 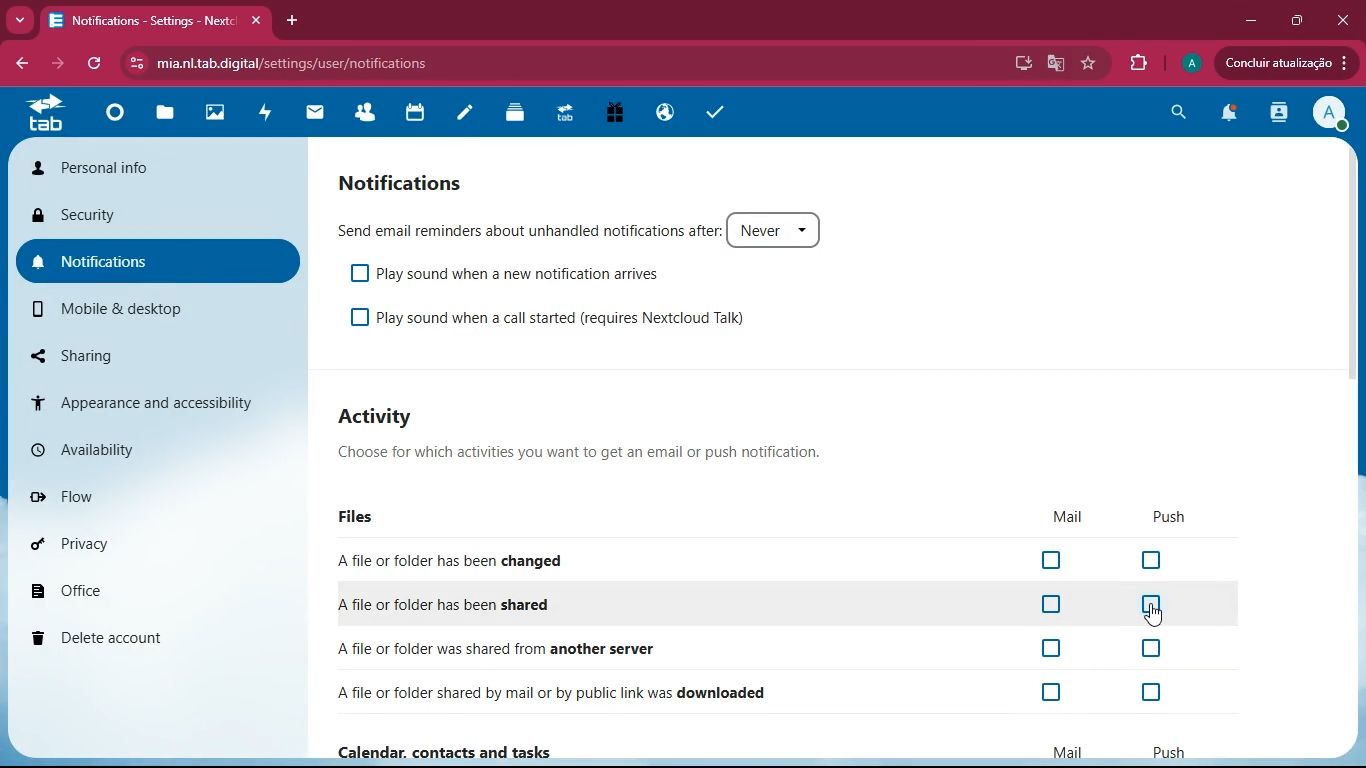 What do you see at coordinates (1153, 608) in the screenshot?
I see `off` at bounding box center [1153, 608].